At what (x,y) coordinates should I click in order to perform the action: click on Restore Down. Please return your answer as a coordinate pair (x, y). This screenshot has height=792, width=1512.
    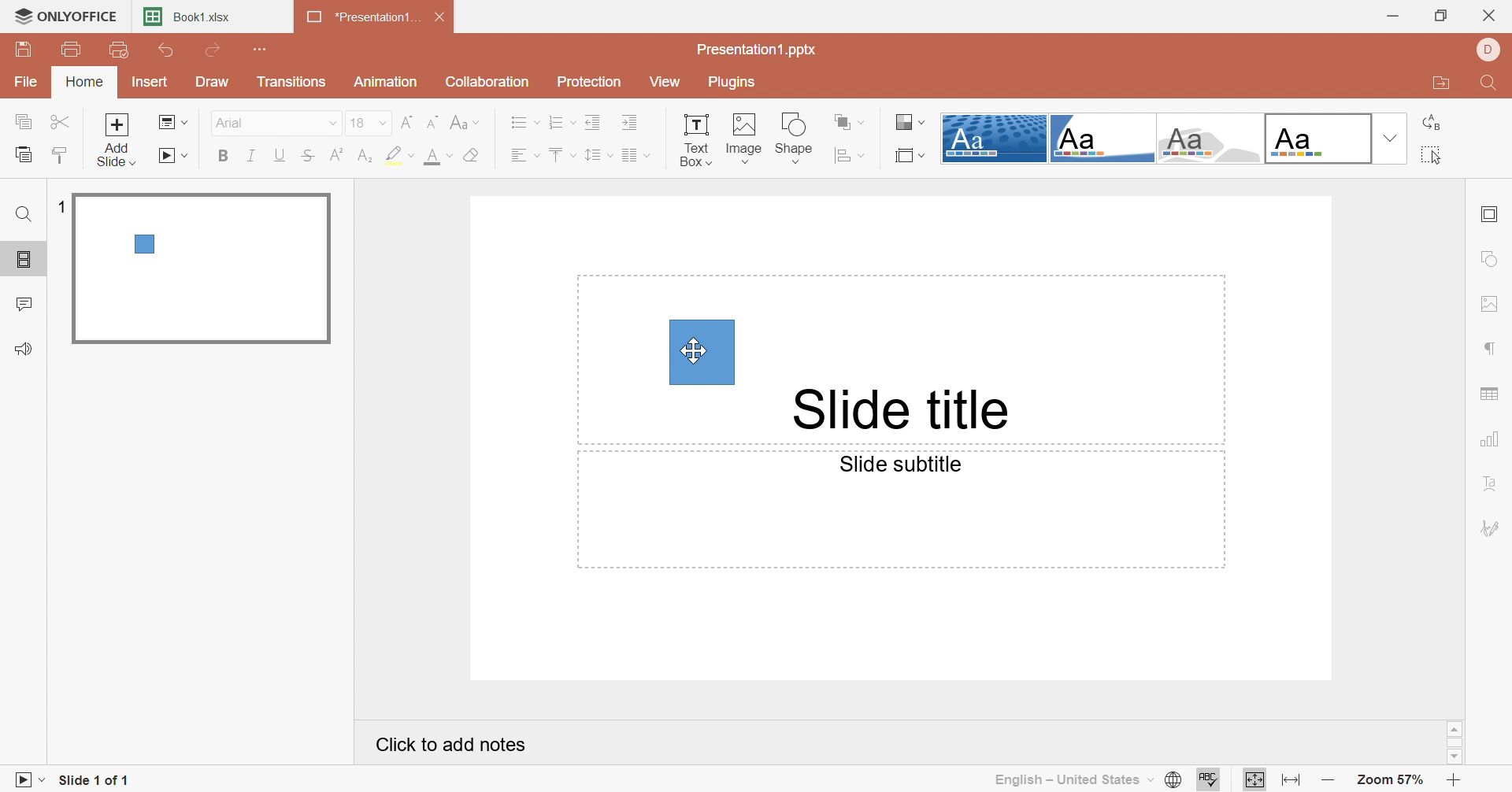
    Looking at the image, I should click on (1445, 16).